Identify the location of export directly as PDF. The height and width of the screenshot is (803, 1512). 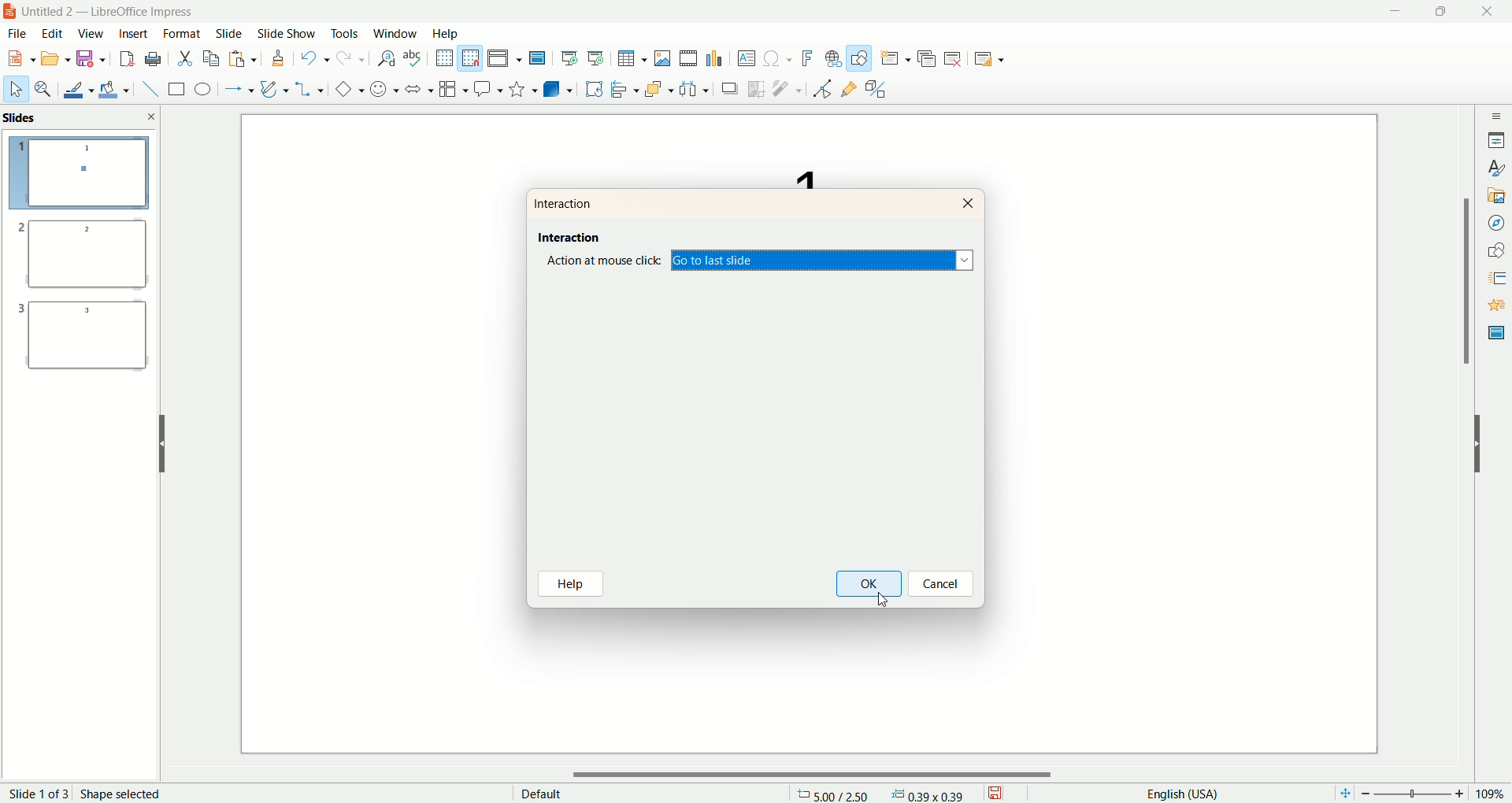
(125, 59).